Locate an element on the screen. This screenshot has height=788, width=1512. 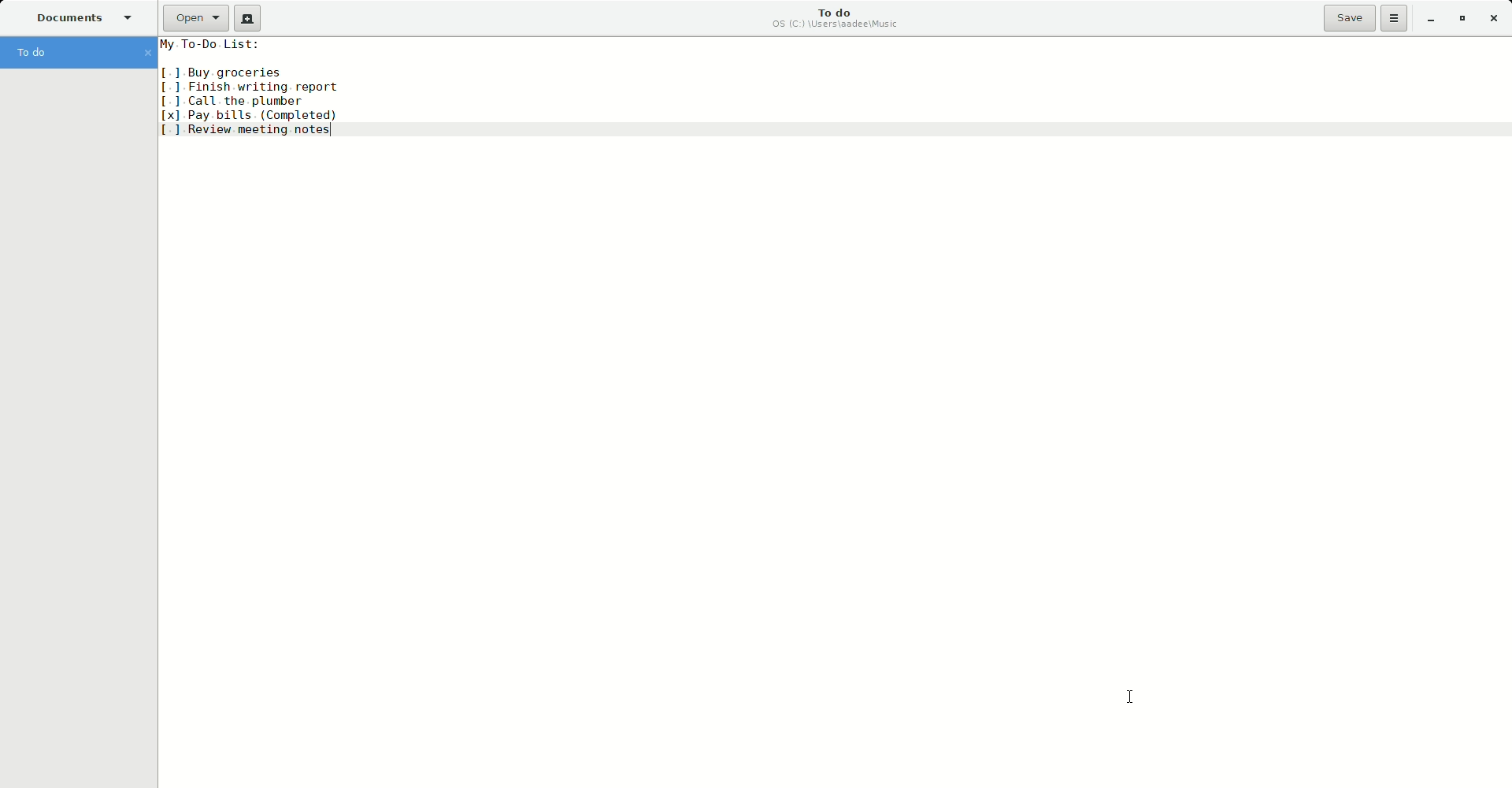
To-Do.-List:[1 Buy groceries[1 Finish writing. report[1 Call the plumber[x] Pay bills. (Completed)[1 Review meeting notes| is located at coordinates (830, 87).